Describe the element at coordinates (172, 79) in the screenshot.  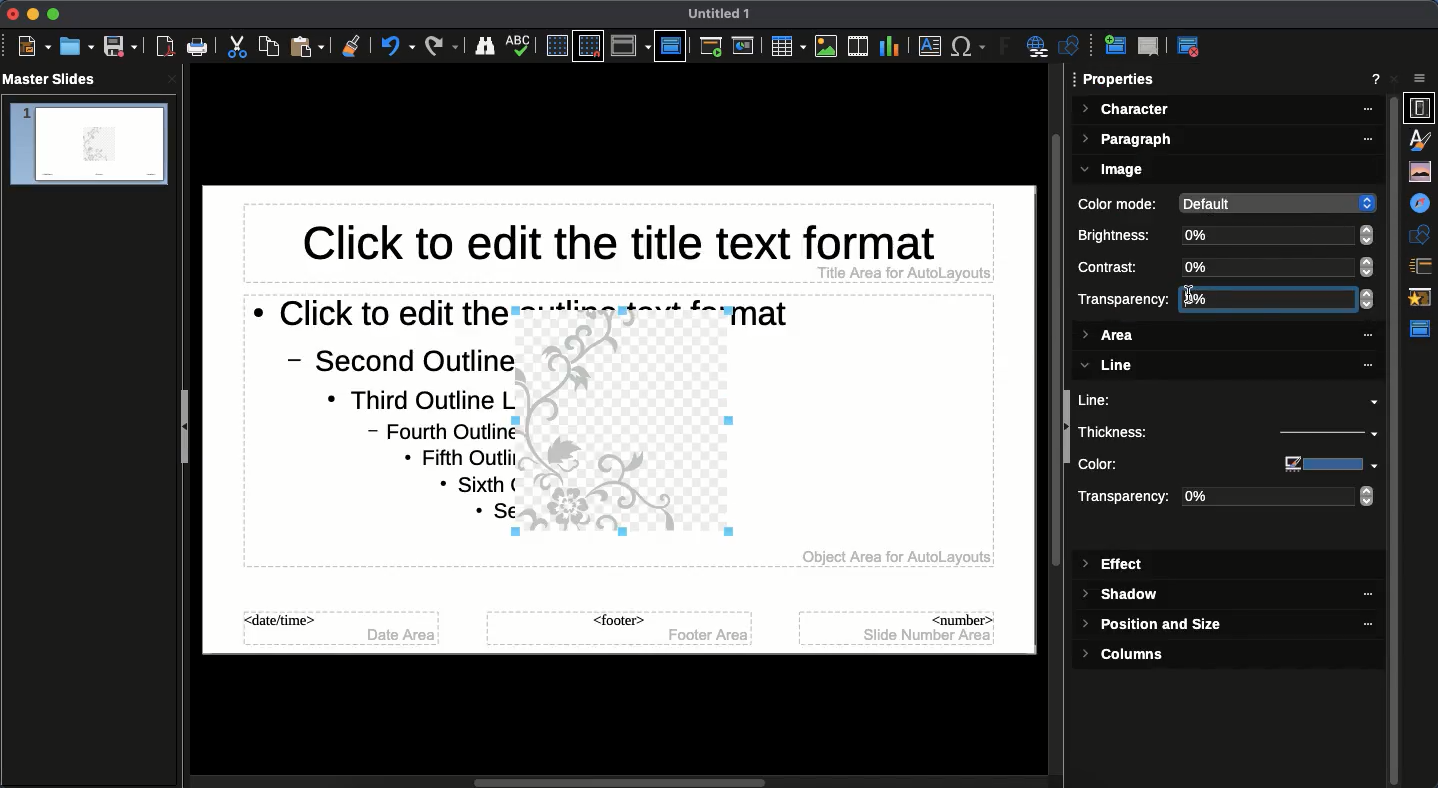
I see `close` at that location.